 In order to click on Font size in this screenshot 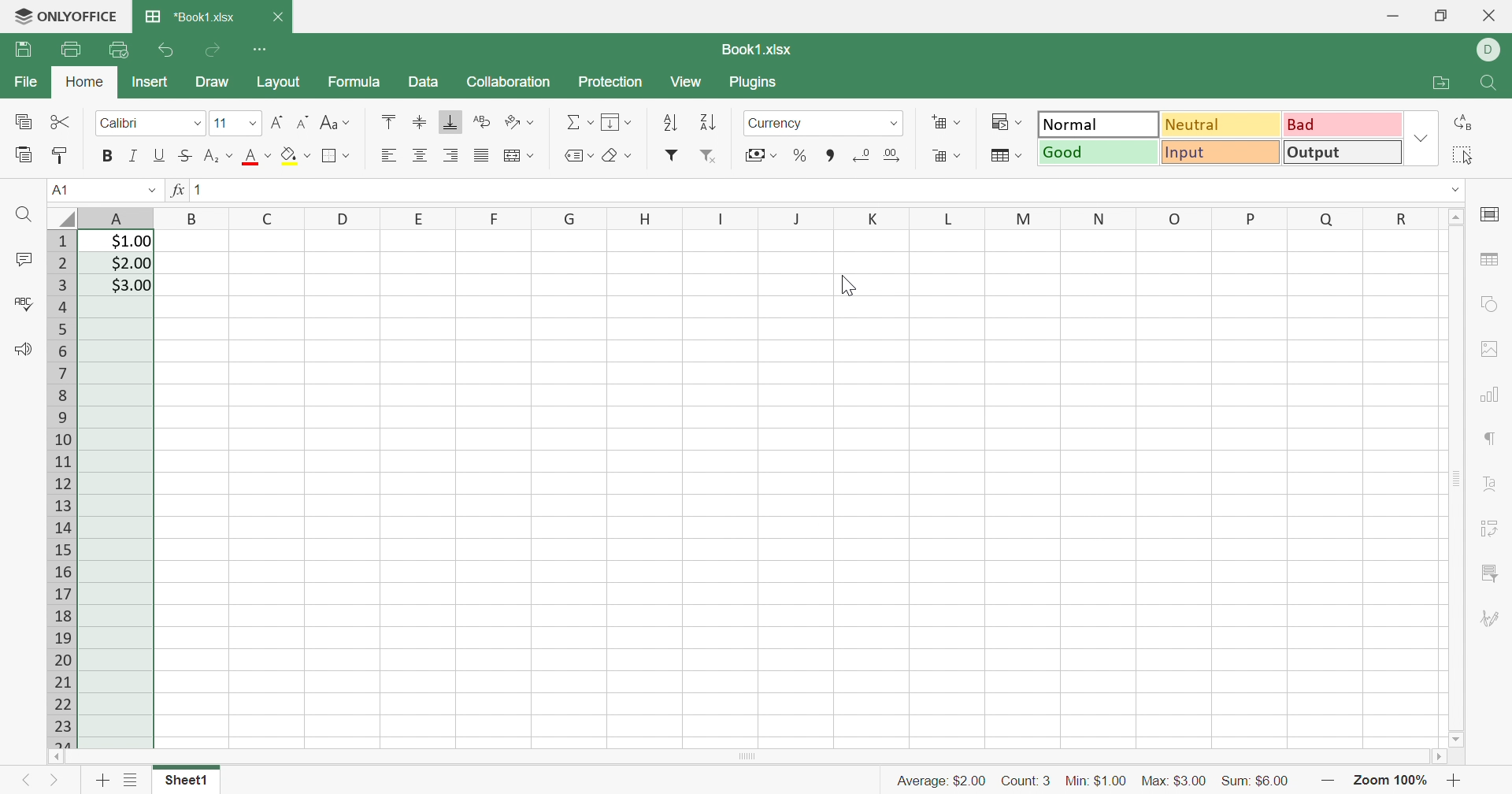, I will do `click(235, 123)`.